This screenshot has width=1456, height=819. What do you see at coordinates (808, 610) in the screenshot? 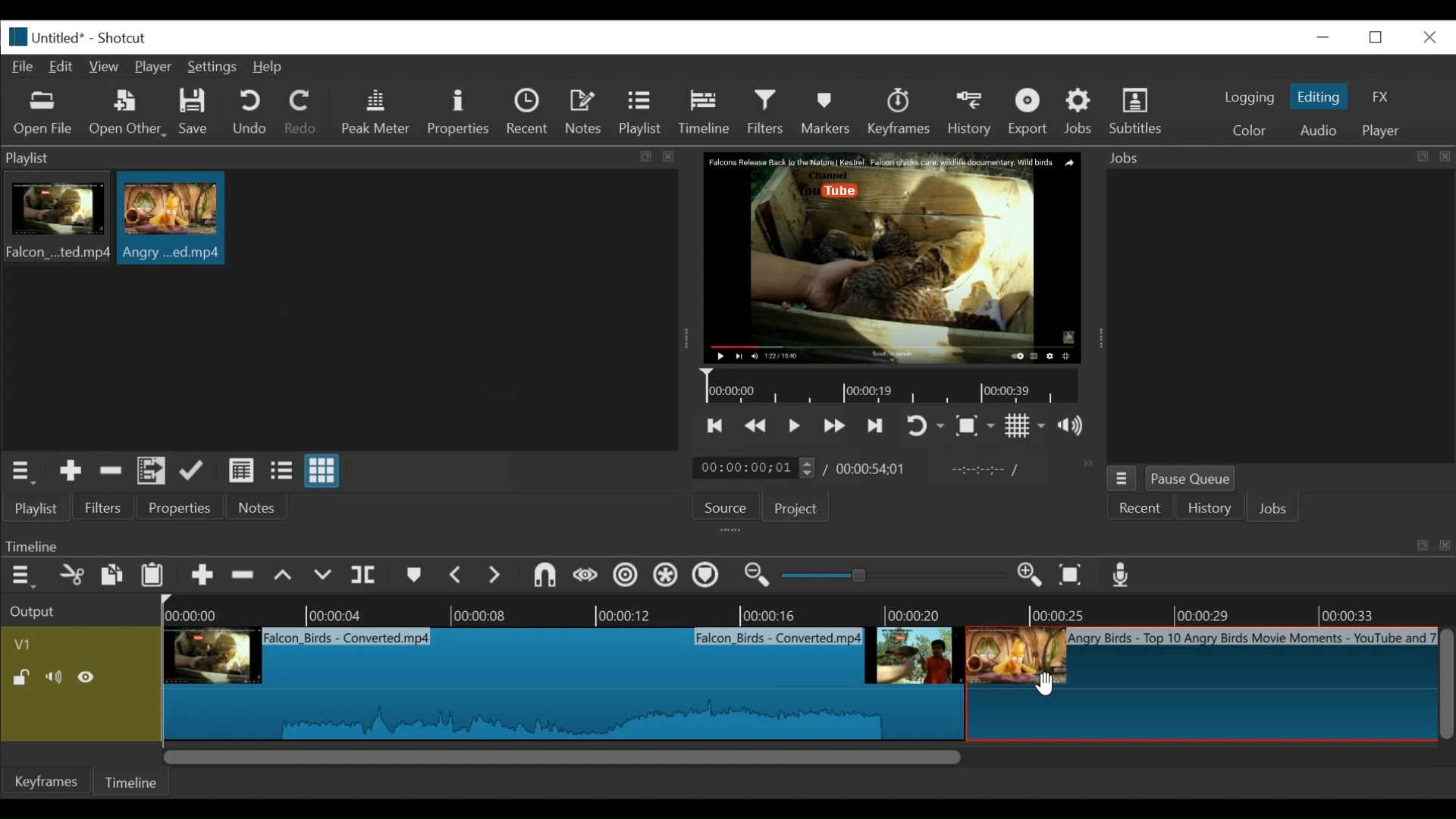
I see `Timeline` at bounding box center [808, 610].